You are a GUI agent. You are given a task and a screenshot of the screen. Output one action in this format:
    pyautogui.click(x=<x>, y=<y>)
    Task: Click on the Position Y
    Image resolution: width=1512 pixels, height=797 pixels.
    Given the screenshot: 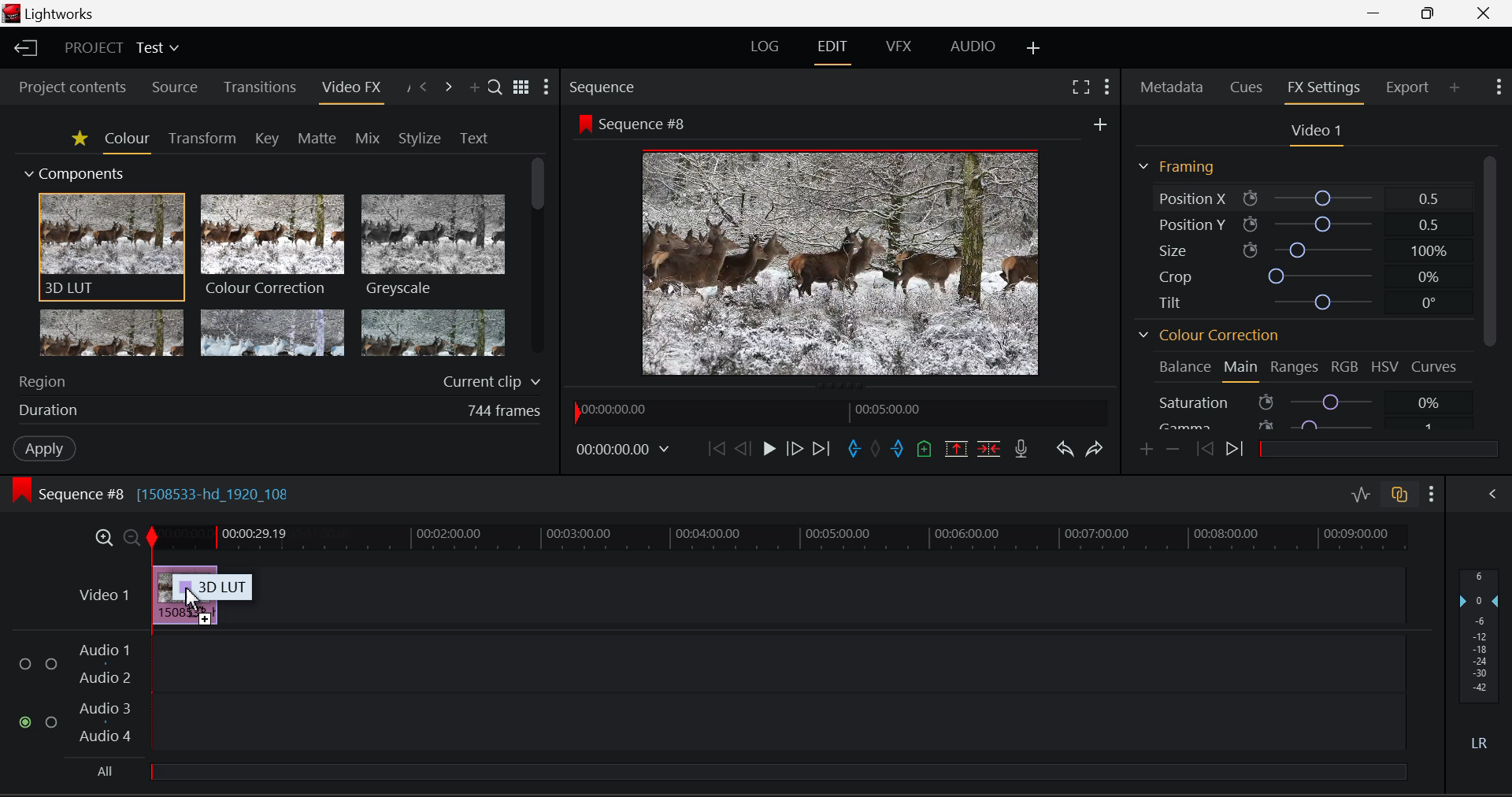 What is the action you would take?
    pyautogui.click(x=1308, y=222)
    